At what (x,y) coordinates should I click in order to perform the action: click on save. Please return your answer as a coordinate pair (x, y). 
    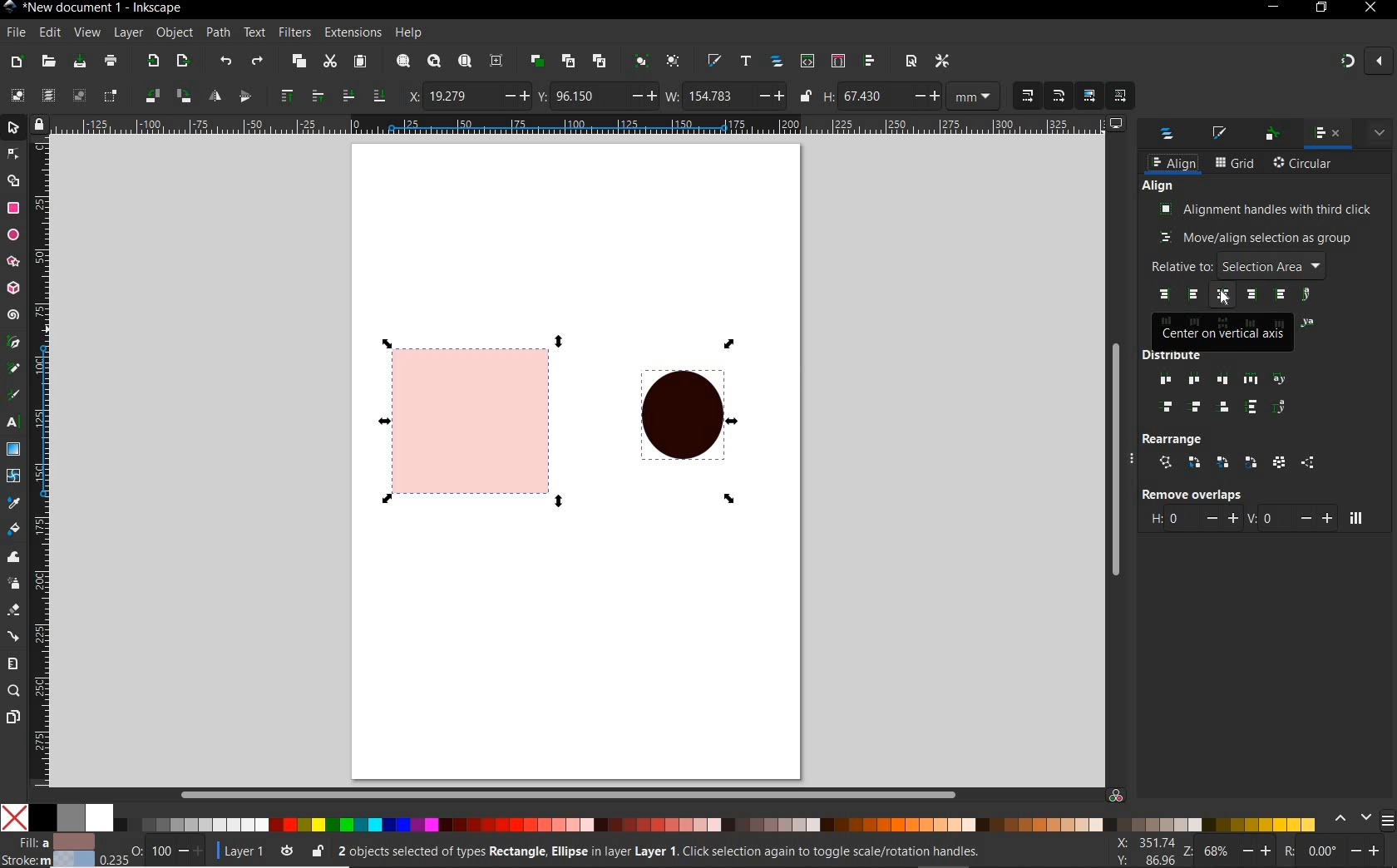
    Looking at the image, I should click on (80, 61).